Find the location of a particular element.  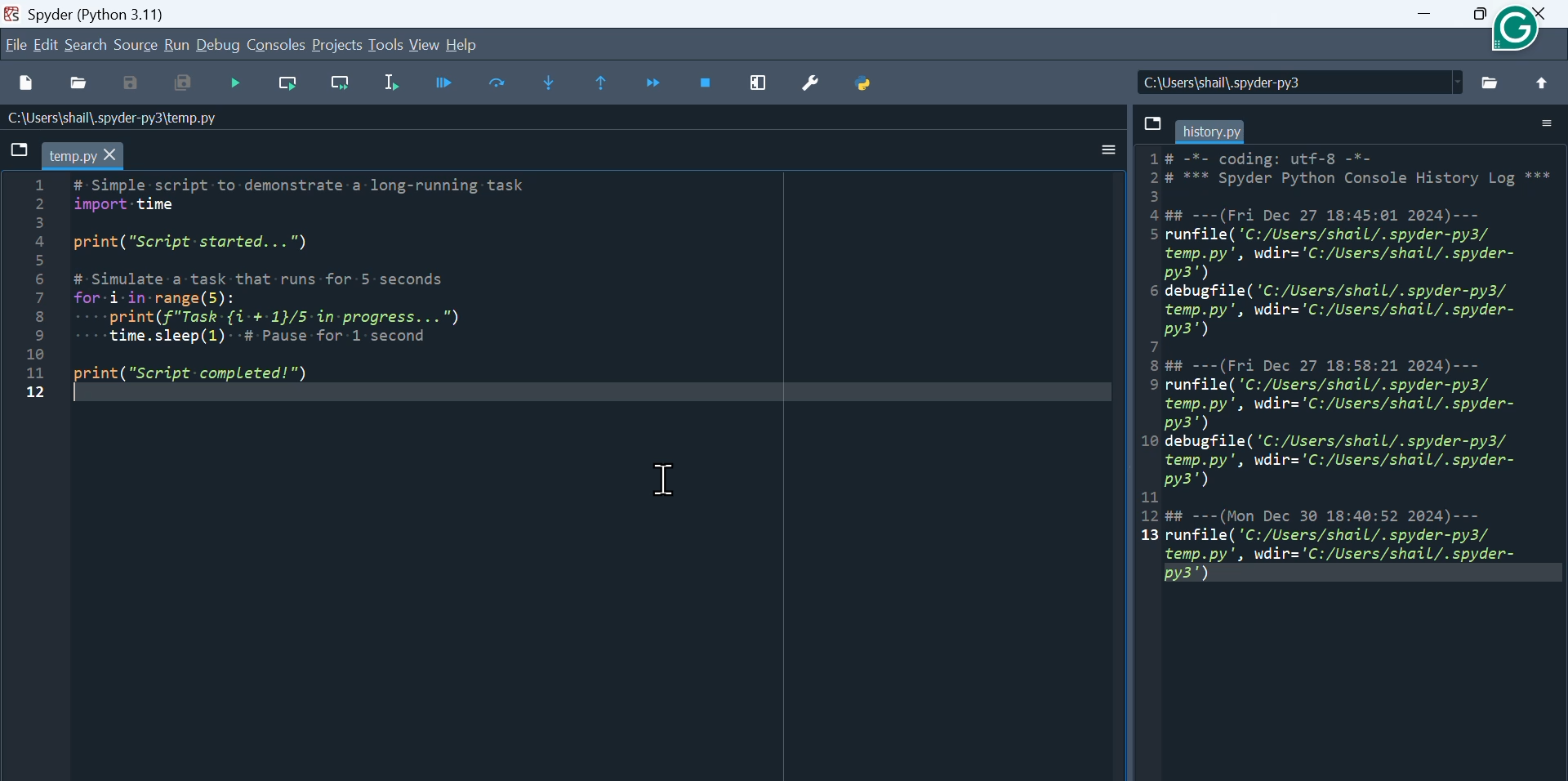

Spyder (Python 3.11) is located at coordinates (92, 14).